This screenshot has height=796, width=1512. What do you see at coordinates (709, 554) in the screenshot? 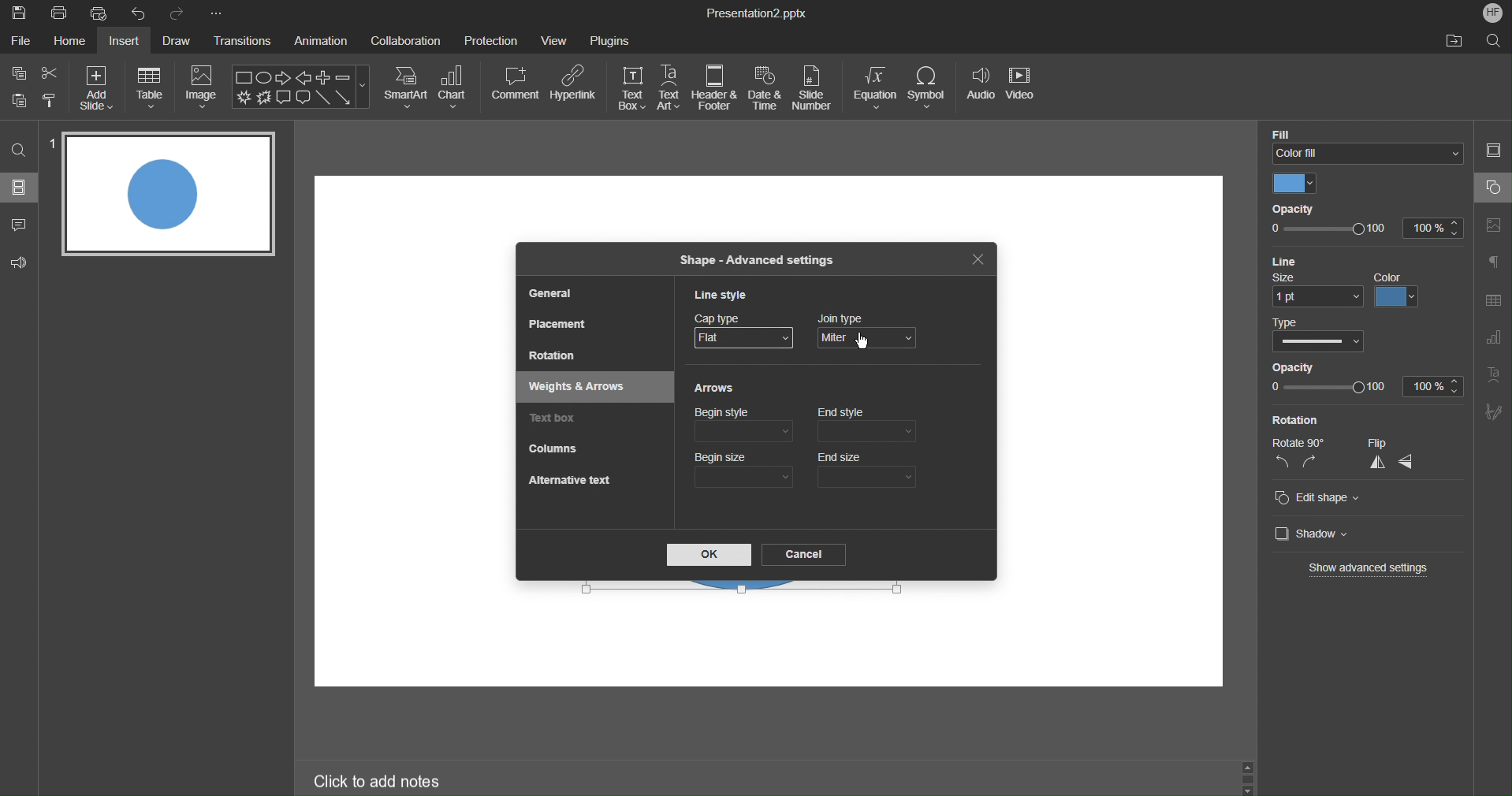
I see `OK` at bounding box center [709, 554].